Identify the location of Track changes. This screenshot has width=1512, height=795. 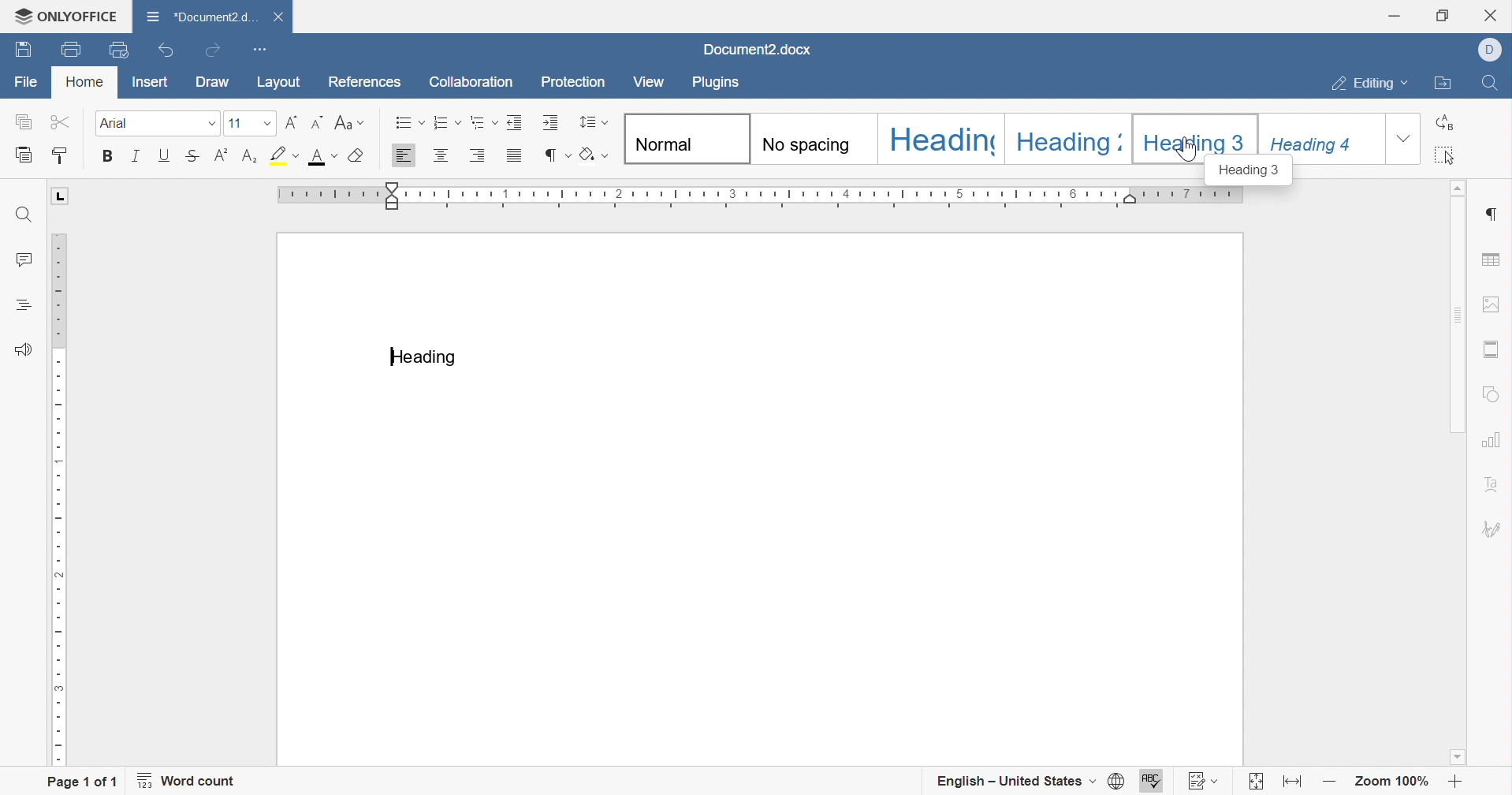
(1200, 780).